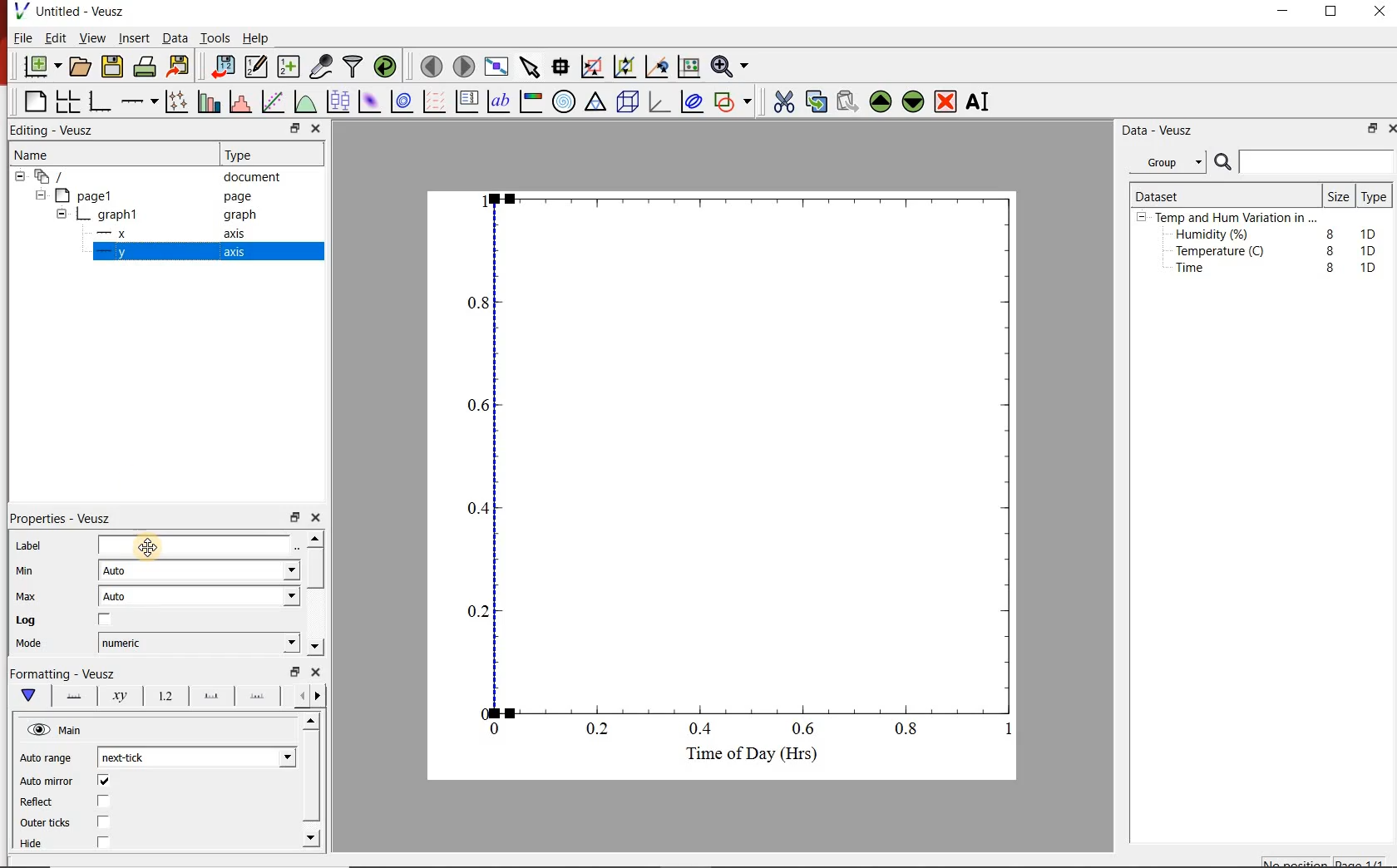 The height and width of the screenshot is (868, 1397). What do you see at coordinates (629, 104) in the screenshot?
I see `3d scene` at bounding box center [629, 104].